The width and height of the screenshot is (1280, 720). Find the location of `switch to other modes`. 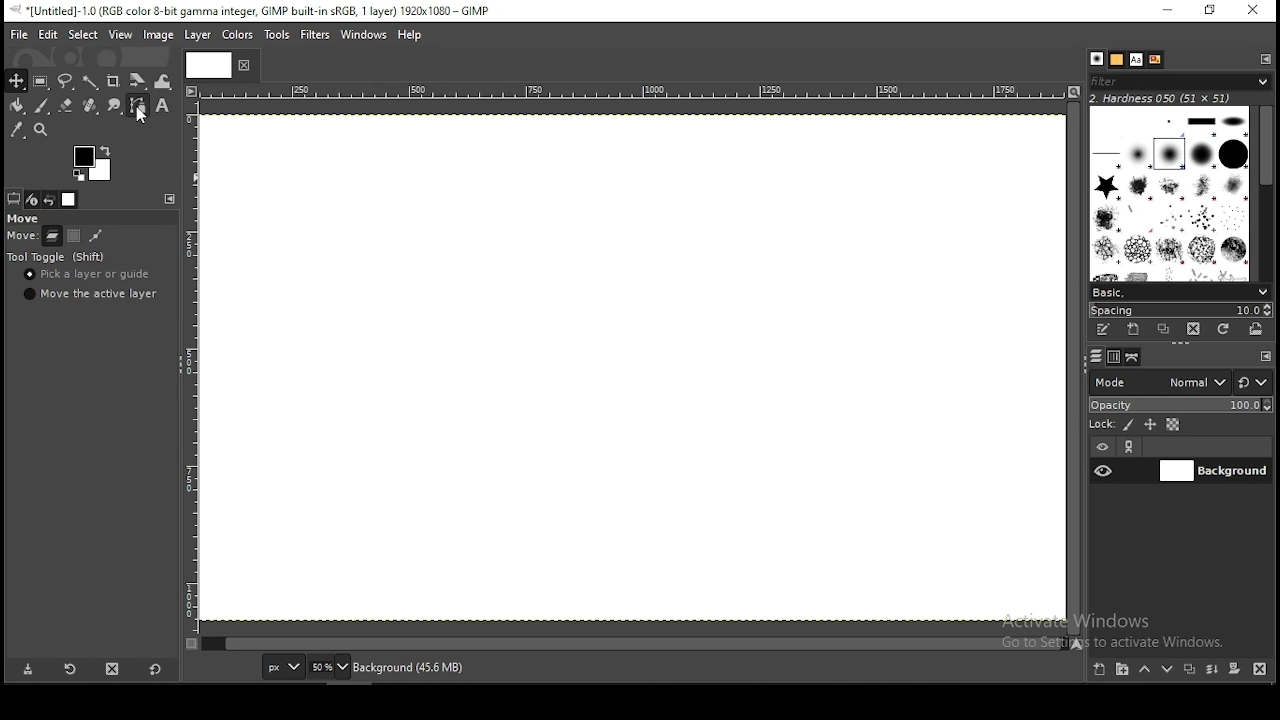

switch to other modes is located at coordinates (1255, 382).